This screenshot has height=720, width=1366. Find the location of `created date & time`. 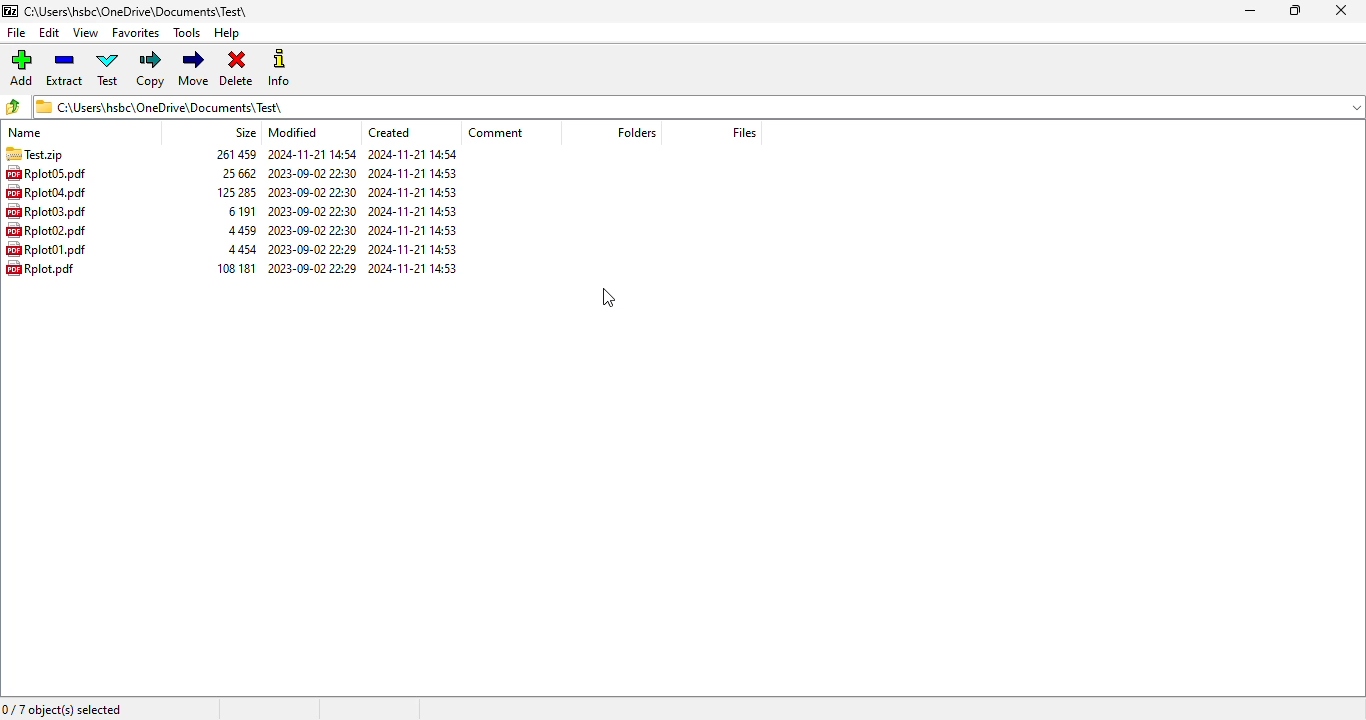

created date & time is located at coordinates (413, 231).